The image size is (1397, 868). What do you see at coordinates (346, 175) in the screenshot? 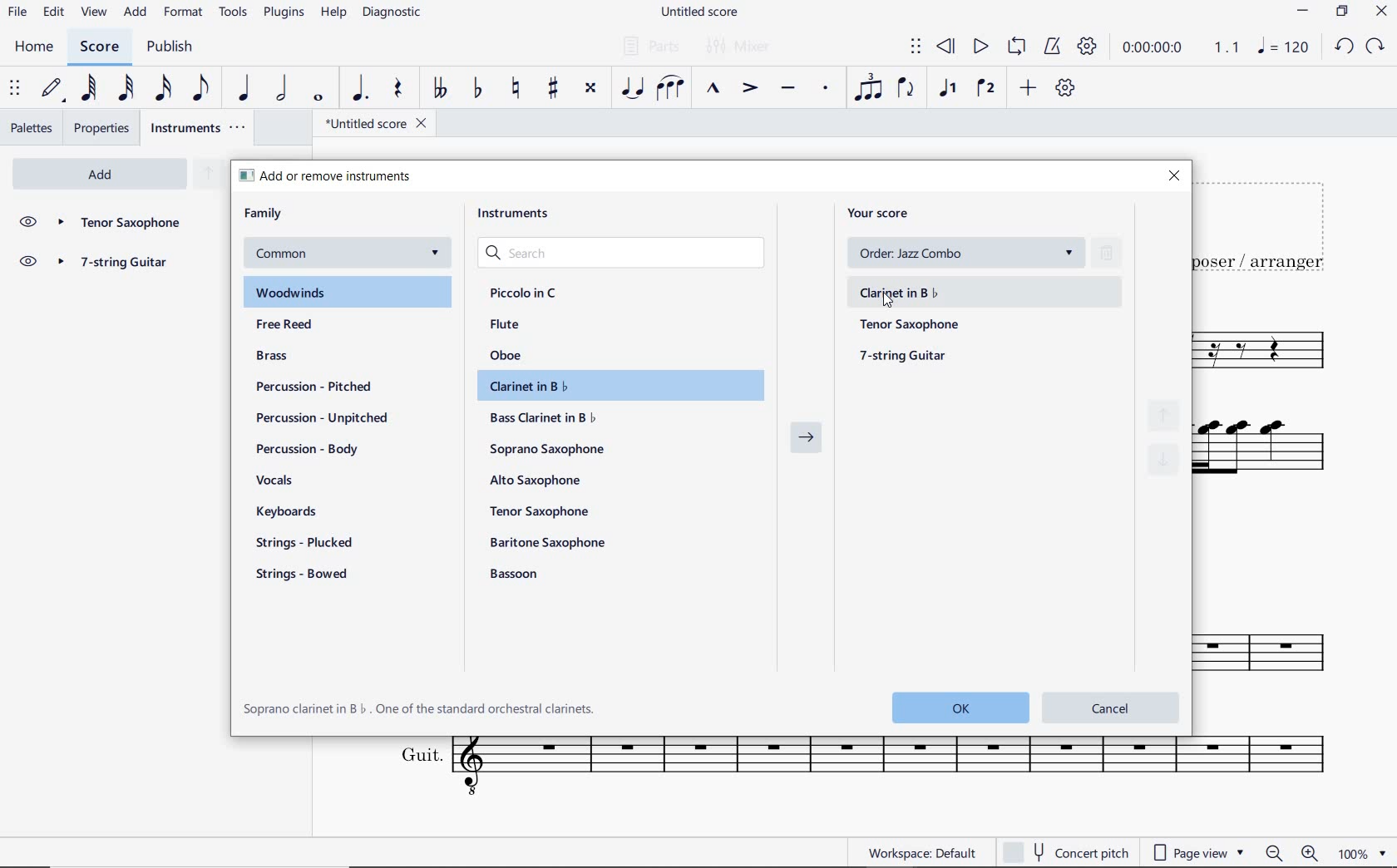
I see `add or remove instruments` at bounding box center [346, 175].